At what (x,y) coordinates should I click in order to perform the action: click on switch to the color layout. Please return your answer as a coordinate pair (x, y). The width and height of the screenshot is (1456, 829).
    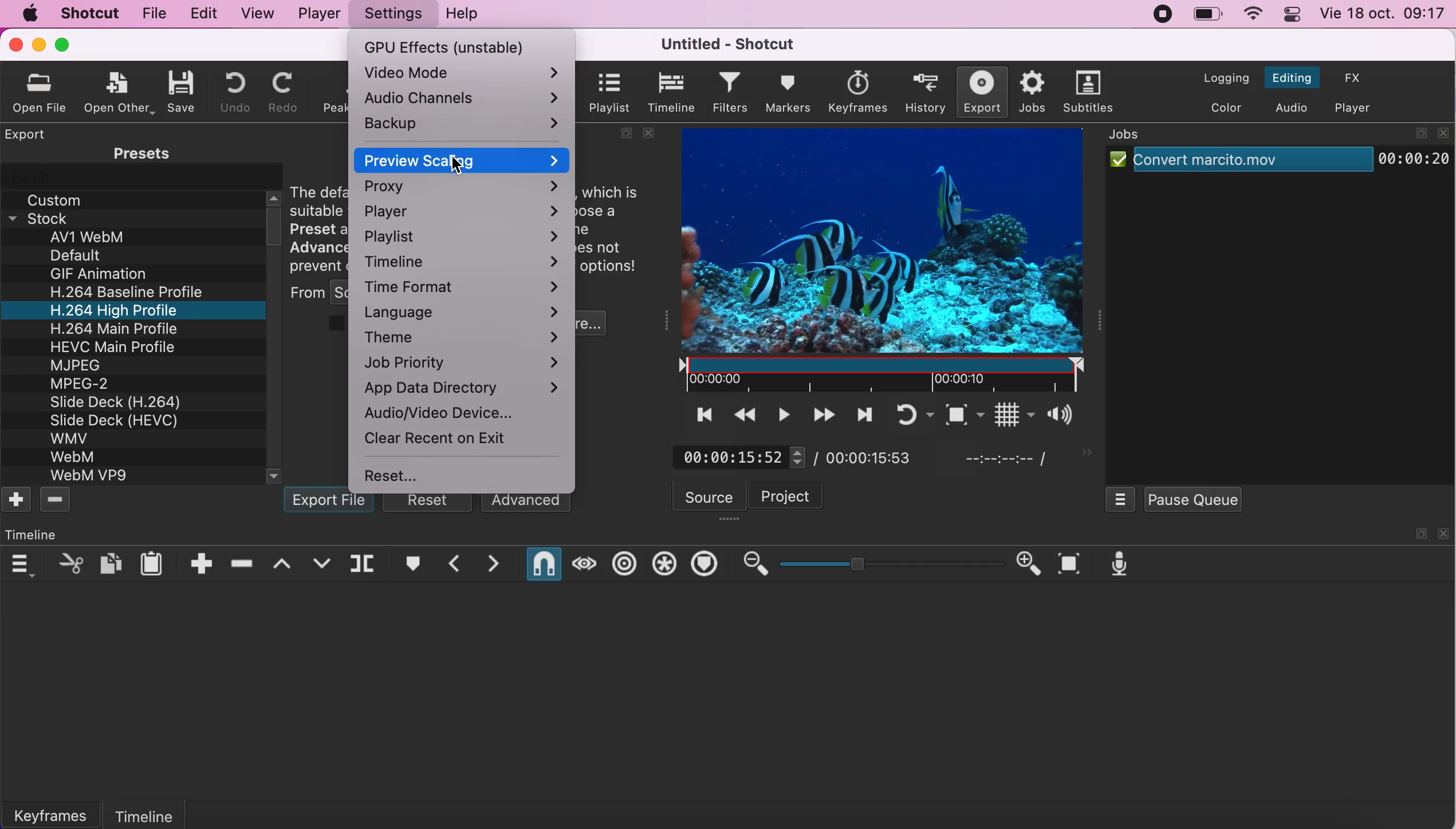
    Looking at the image, I should click on (1222, 106).